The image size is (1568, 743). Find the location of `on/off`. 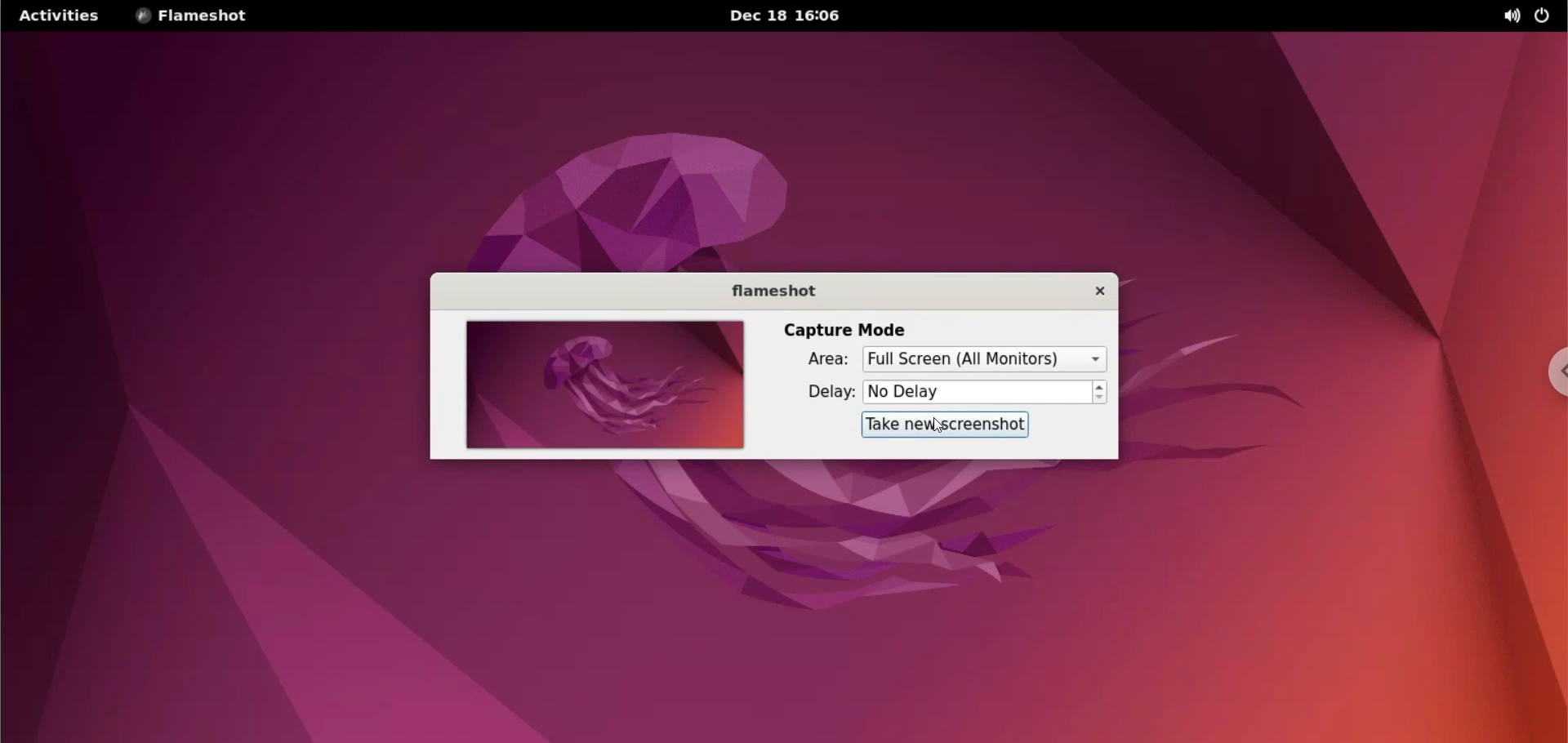

on/off is located at coordinates (1542, 15).